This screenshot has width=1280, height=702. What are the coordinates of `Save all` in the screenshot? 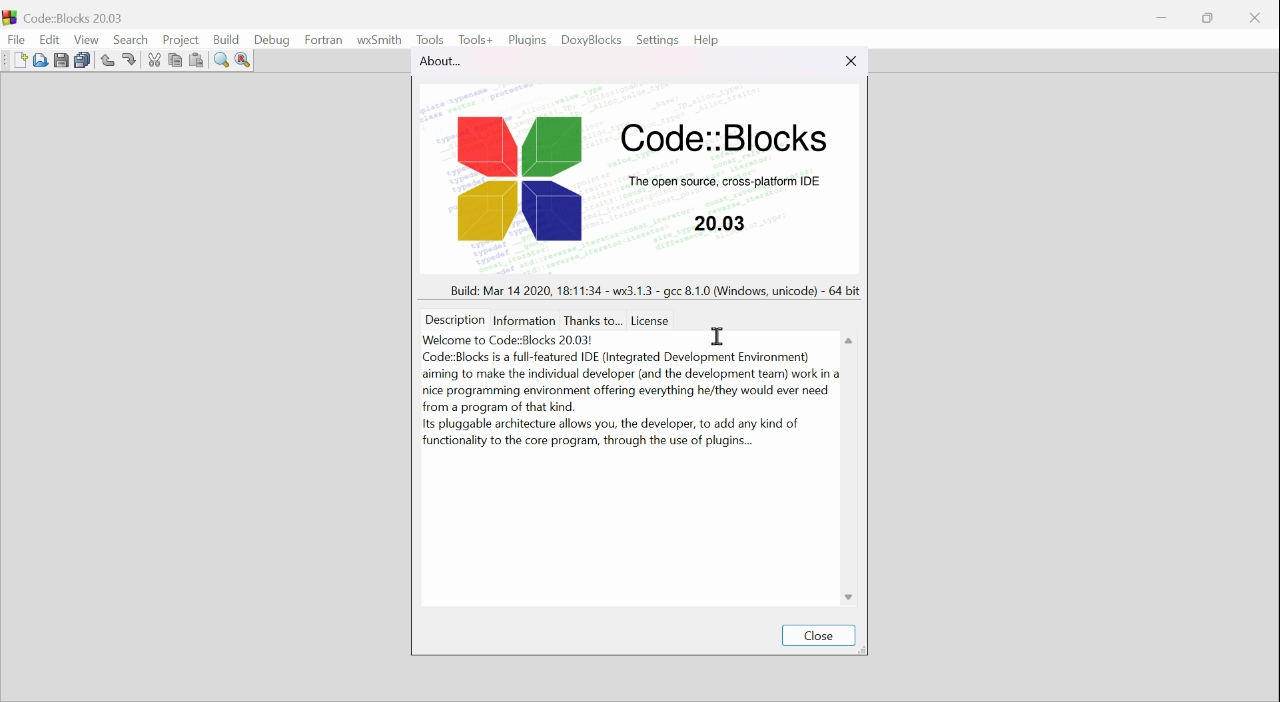 It's located at (82, 60).